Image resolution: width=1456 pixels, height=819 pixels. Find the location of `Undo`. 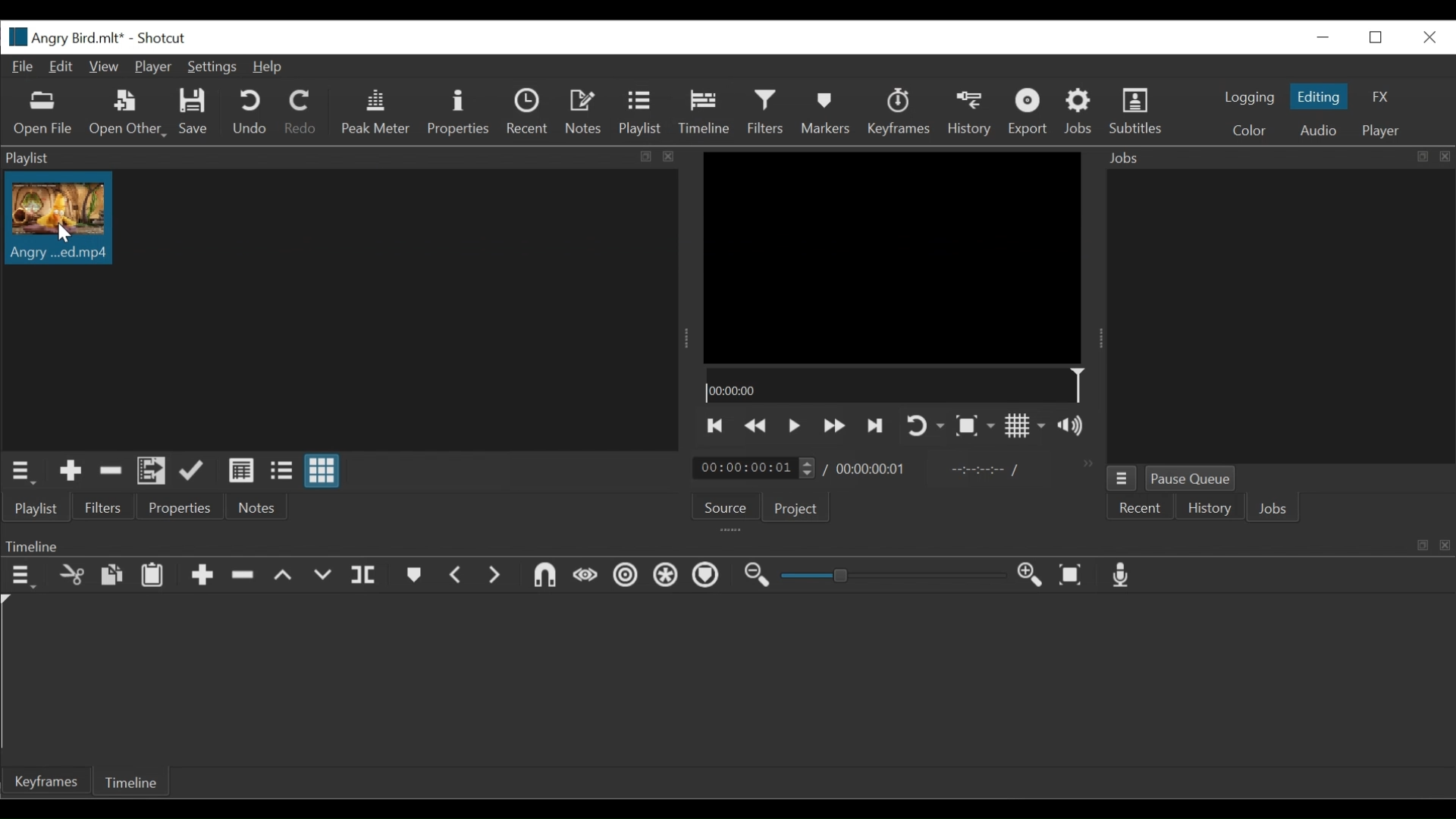

Undo is located at coordinates (251, 113).